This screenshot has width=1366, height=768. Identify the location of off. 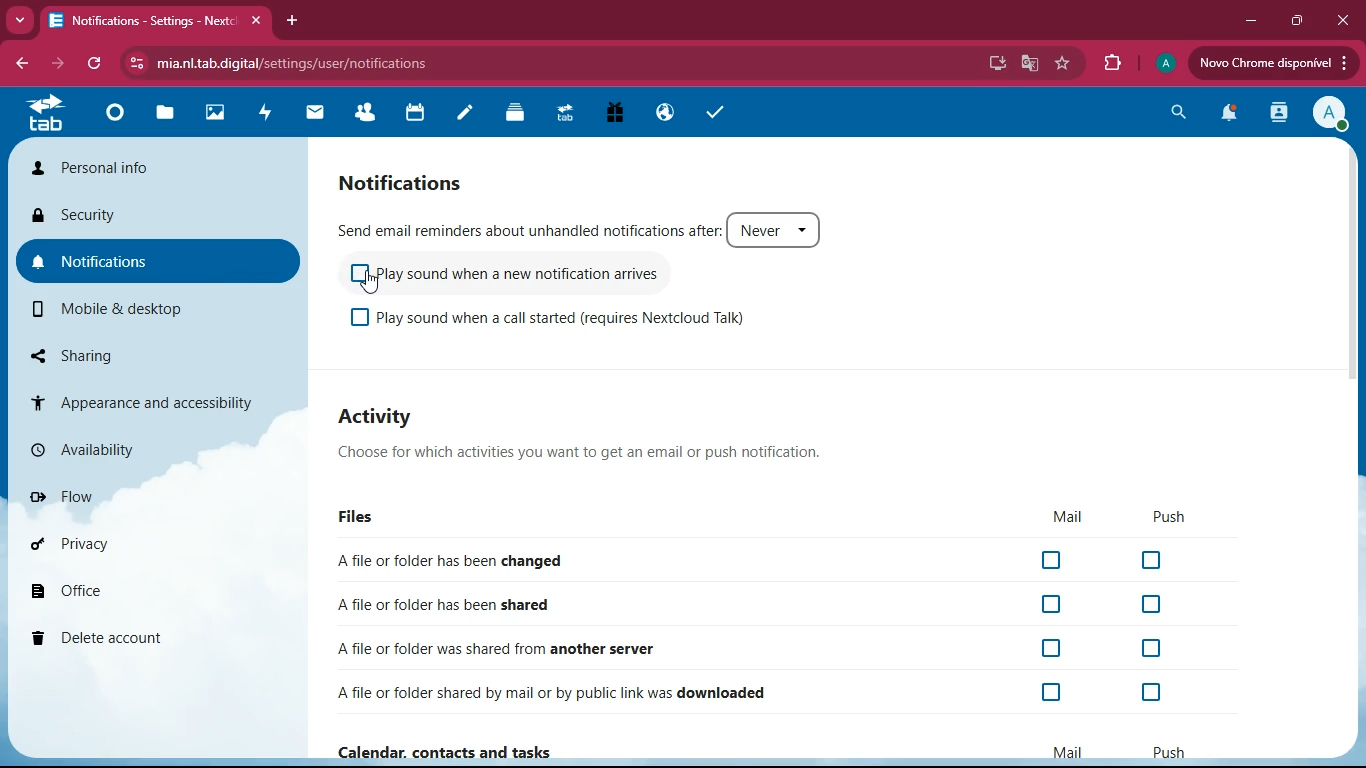
(1056, 695).